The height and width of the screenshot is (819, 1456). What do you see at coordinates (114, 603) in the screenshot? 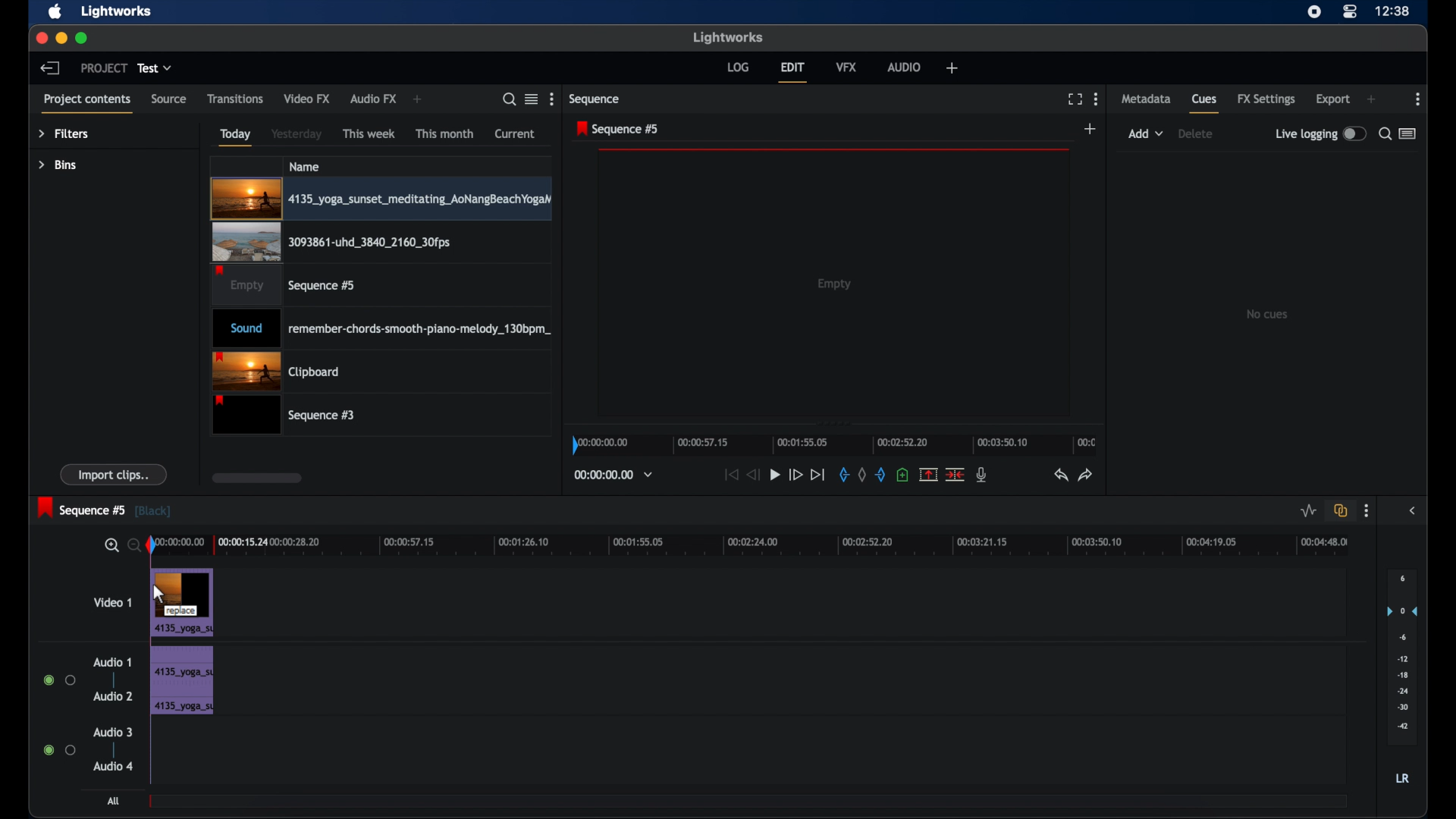
I see `video 1` at bounding box center [114, 603].